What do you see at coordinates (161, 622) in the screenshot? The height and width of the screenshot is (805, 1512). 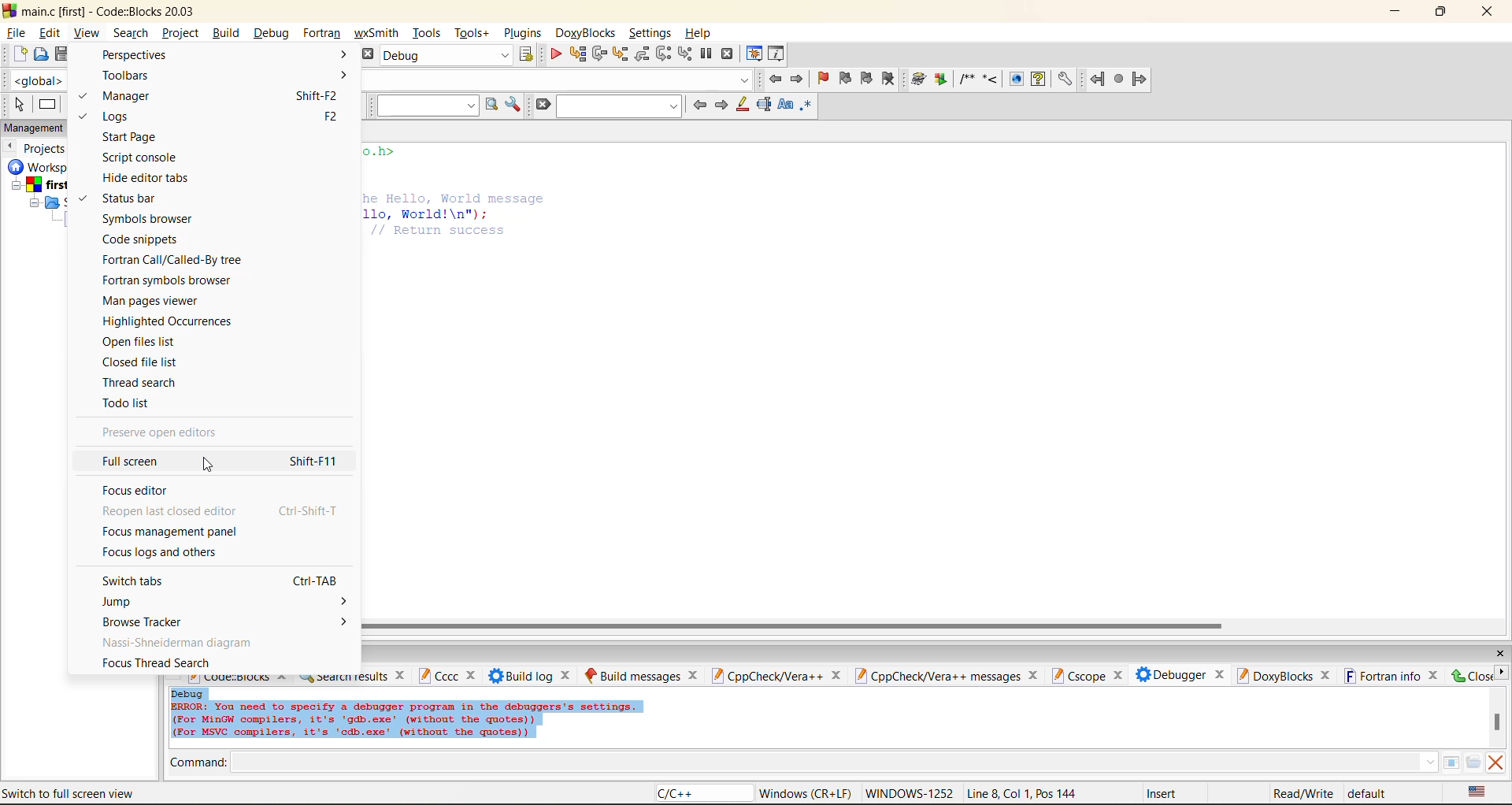 I see `browse tracker` at bounding box center [161, 622].